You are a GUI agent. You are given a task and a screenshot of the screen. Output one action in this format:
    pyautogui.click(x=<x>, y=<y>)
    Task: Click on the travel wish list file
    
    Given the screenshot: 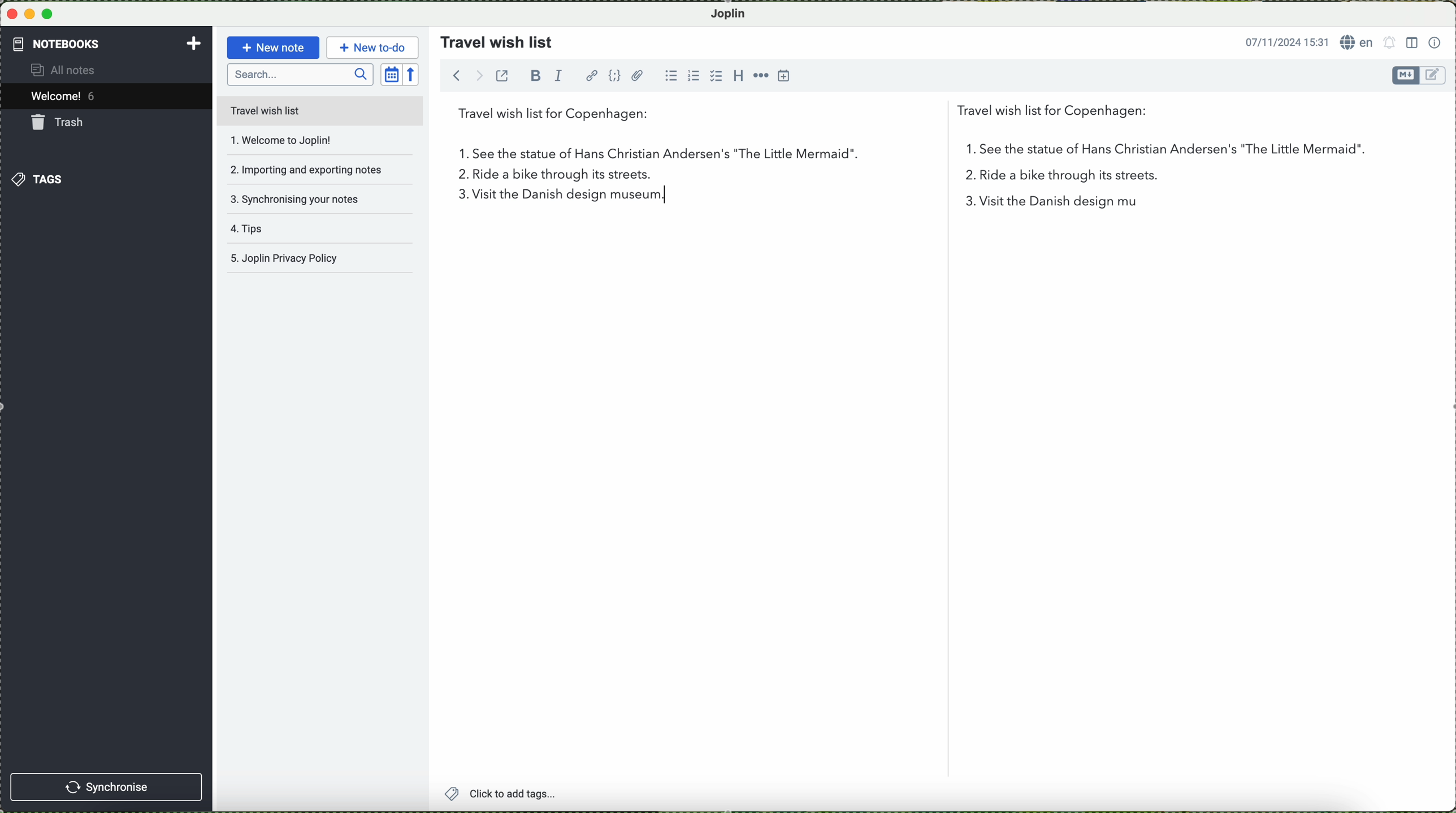 What is the action you would take?
    pyautogui.click(x=319, y=110)
    